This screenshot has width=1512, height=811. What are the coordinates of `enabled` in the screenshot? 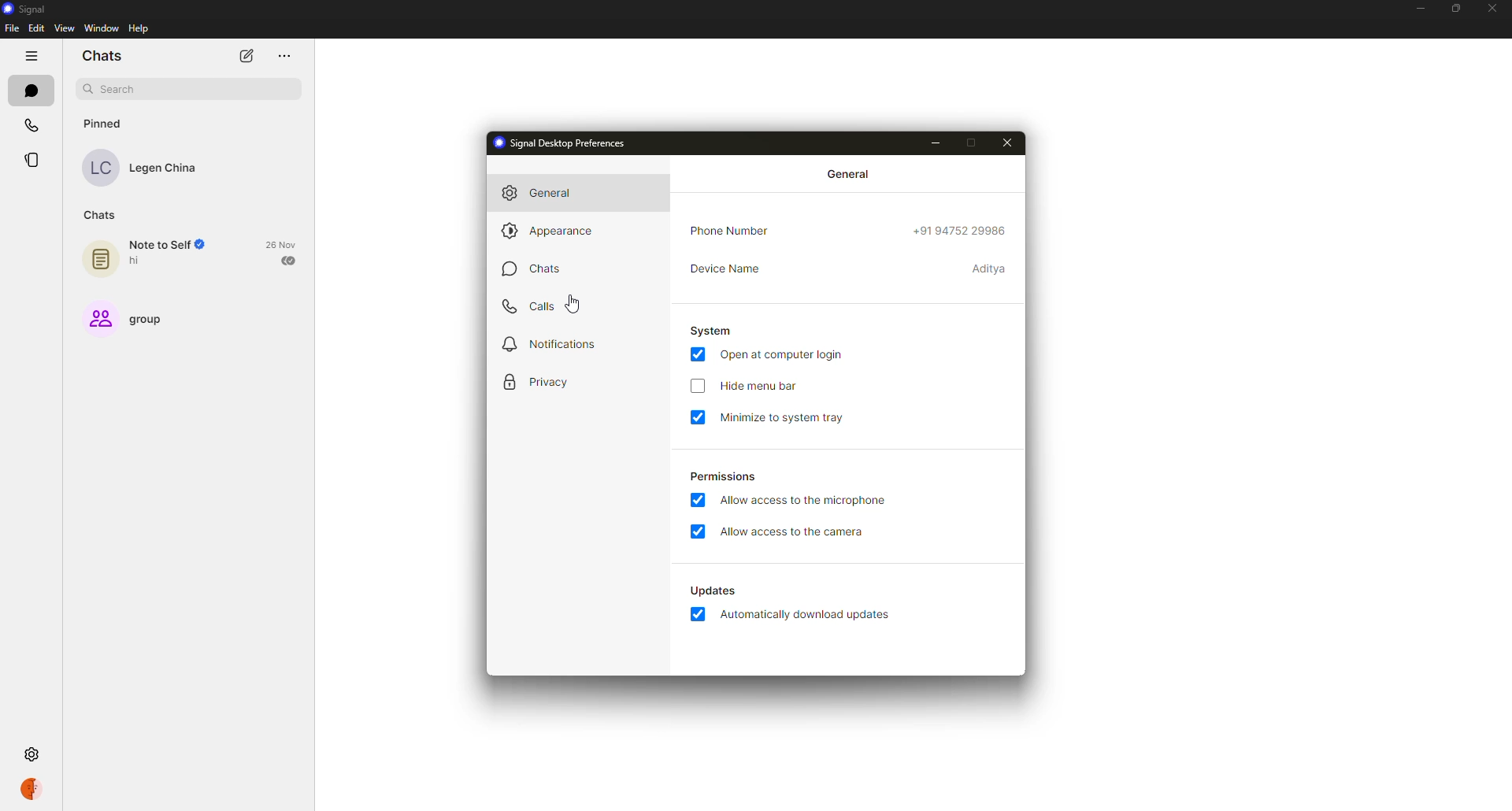 It's located at (700, 532).